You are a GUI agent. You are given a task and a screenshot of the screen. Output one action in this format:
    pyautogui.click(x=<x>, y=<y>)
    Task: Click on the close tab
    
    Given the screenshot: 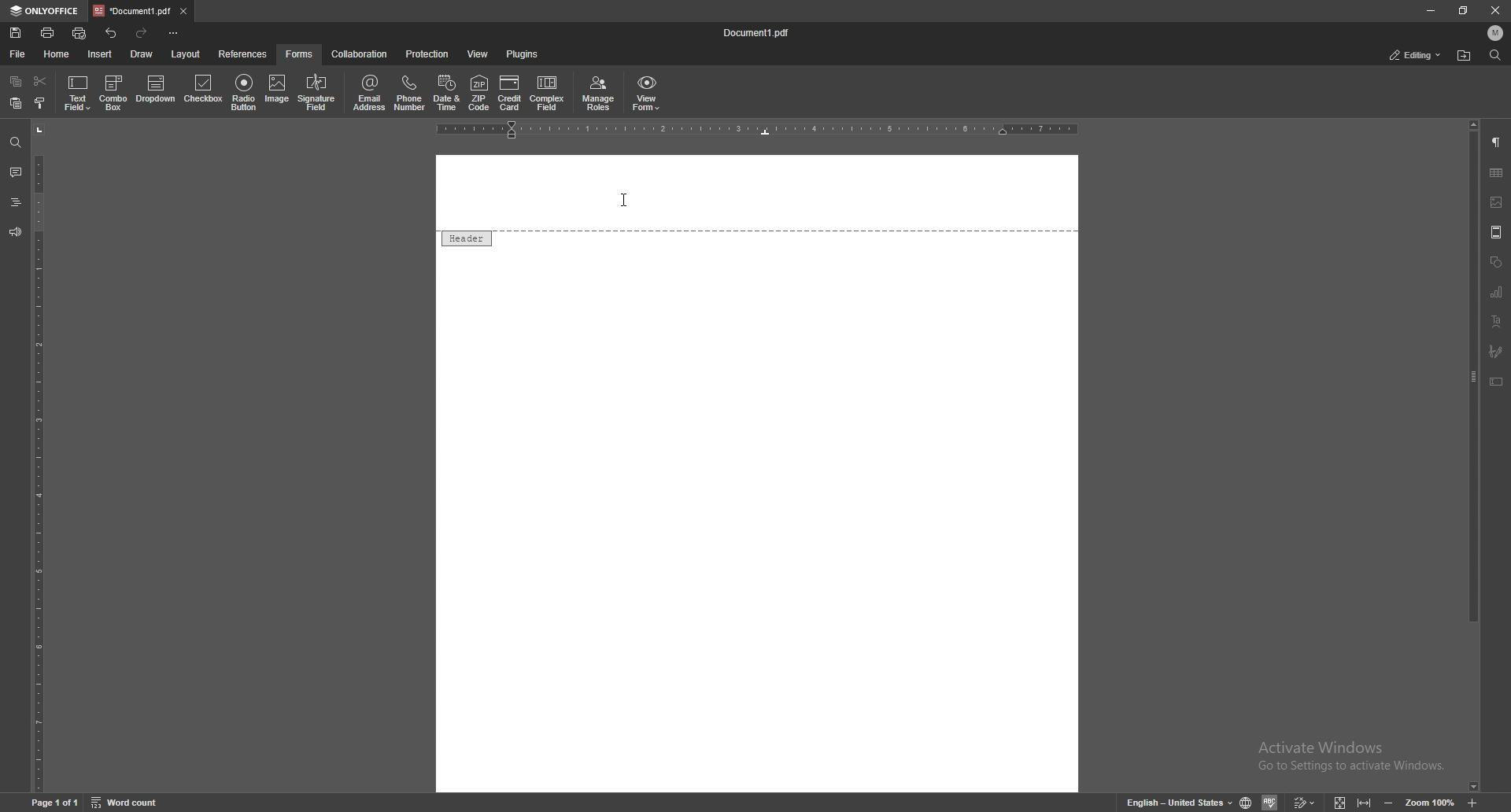 What is the action you would take?
    pyautogui.click(x=185, y=11)
    